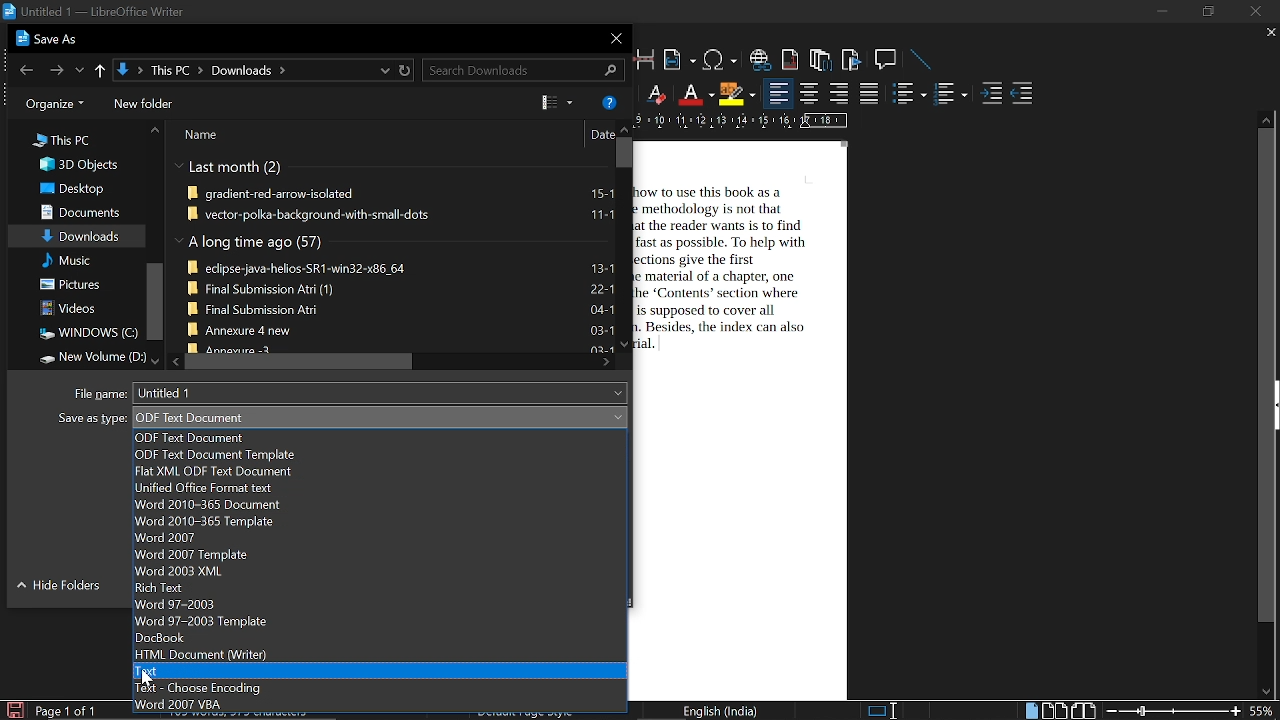 The image size is (1280, 720). Describe the element at coordinates (554, 102) in the screenshot. I see `preview pane` at that location.